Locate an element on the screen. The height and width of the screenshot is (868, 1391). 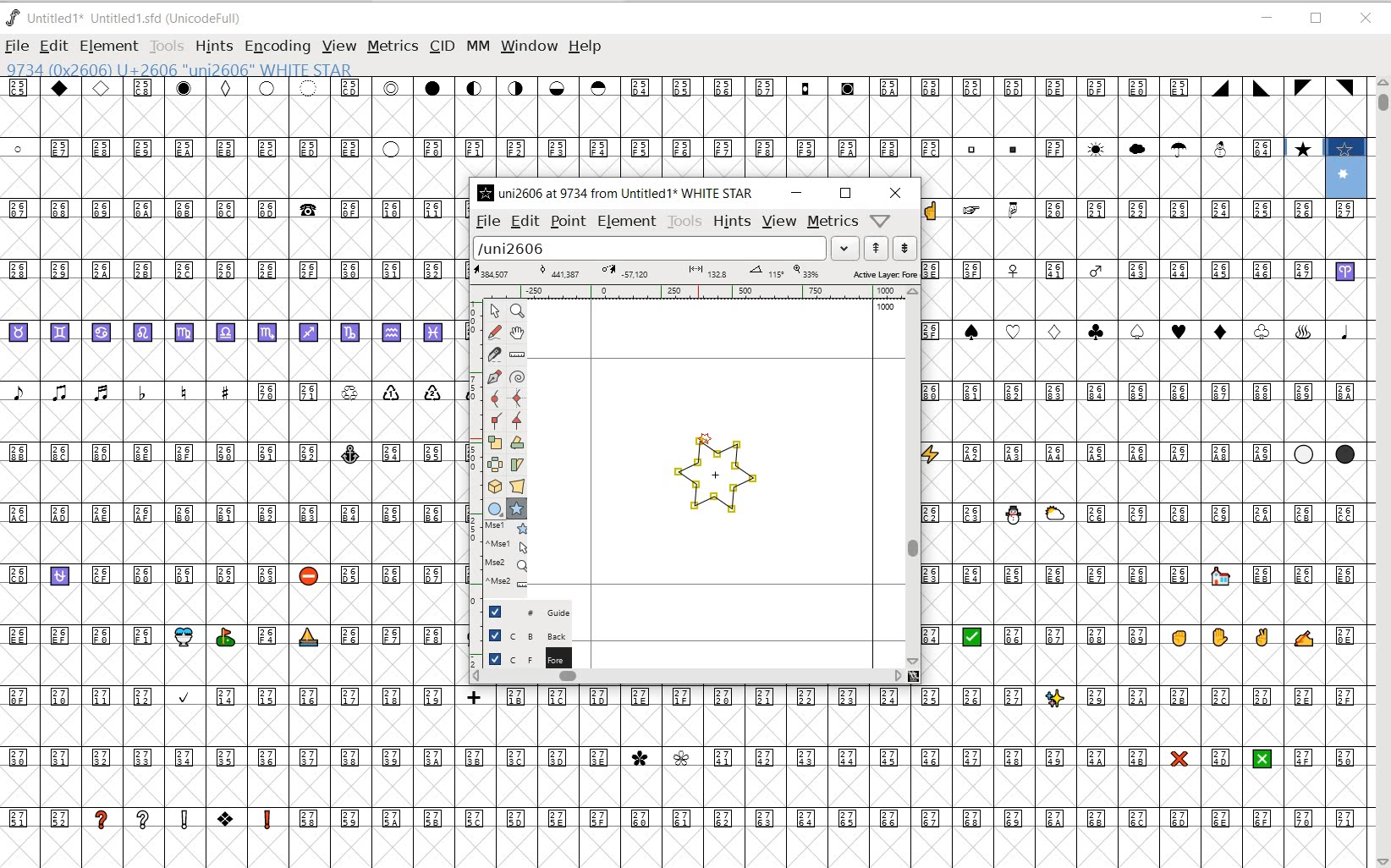
GLYPHY CHARACTERS & NUMBERS is located at coordinates (229, 523).